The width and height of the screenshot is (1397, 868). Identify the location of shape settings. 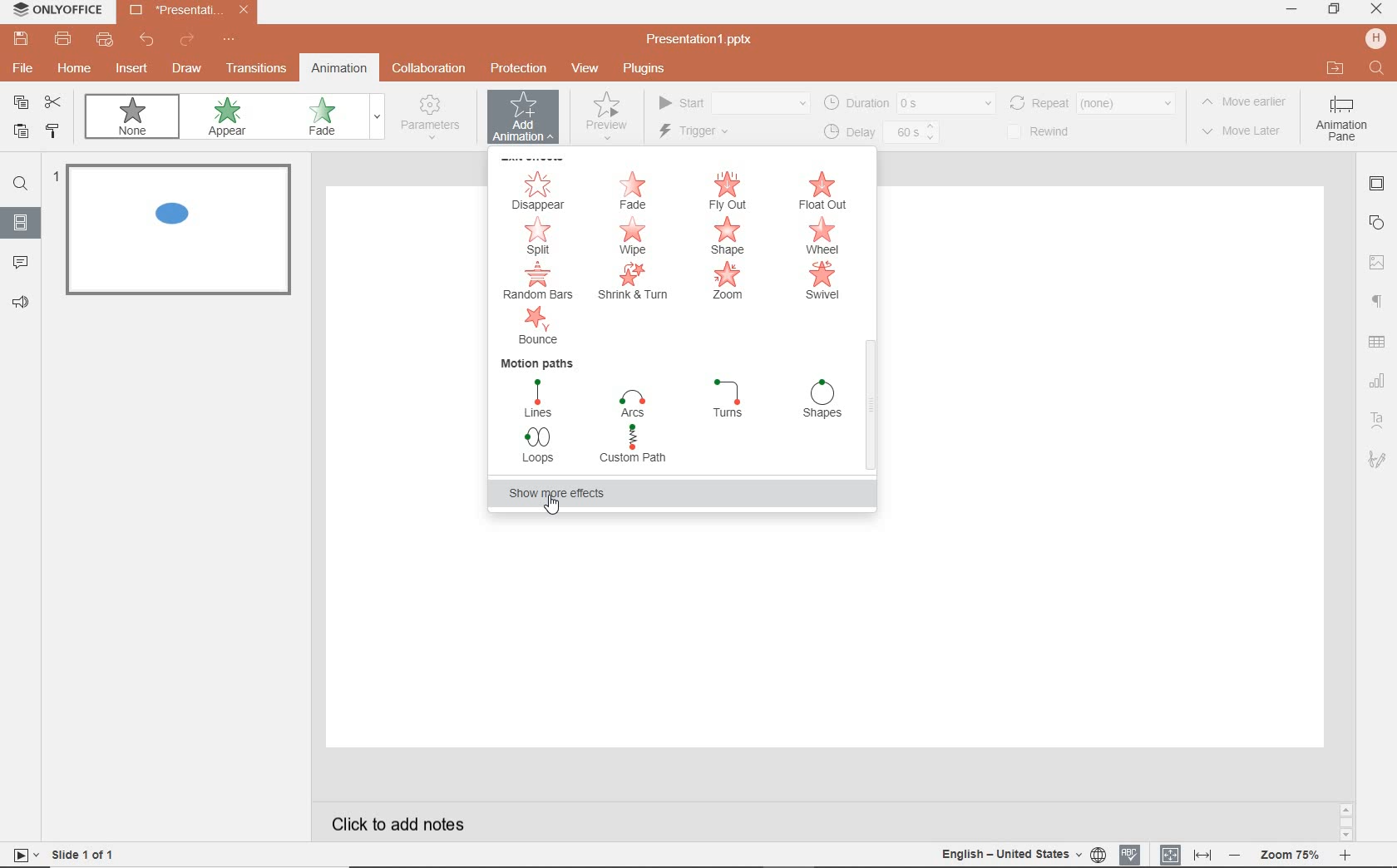
(1380, 222).